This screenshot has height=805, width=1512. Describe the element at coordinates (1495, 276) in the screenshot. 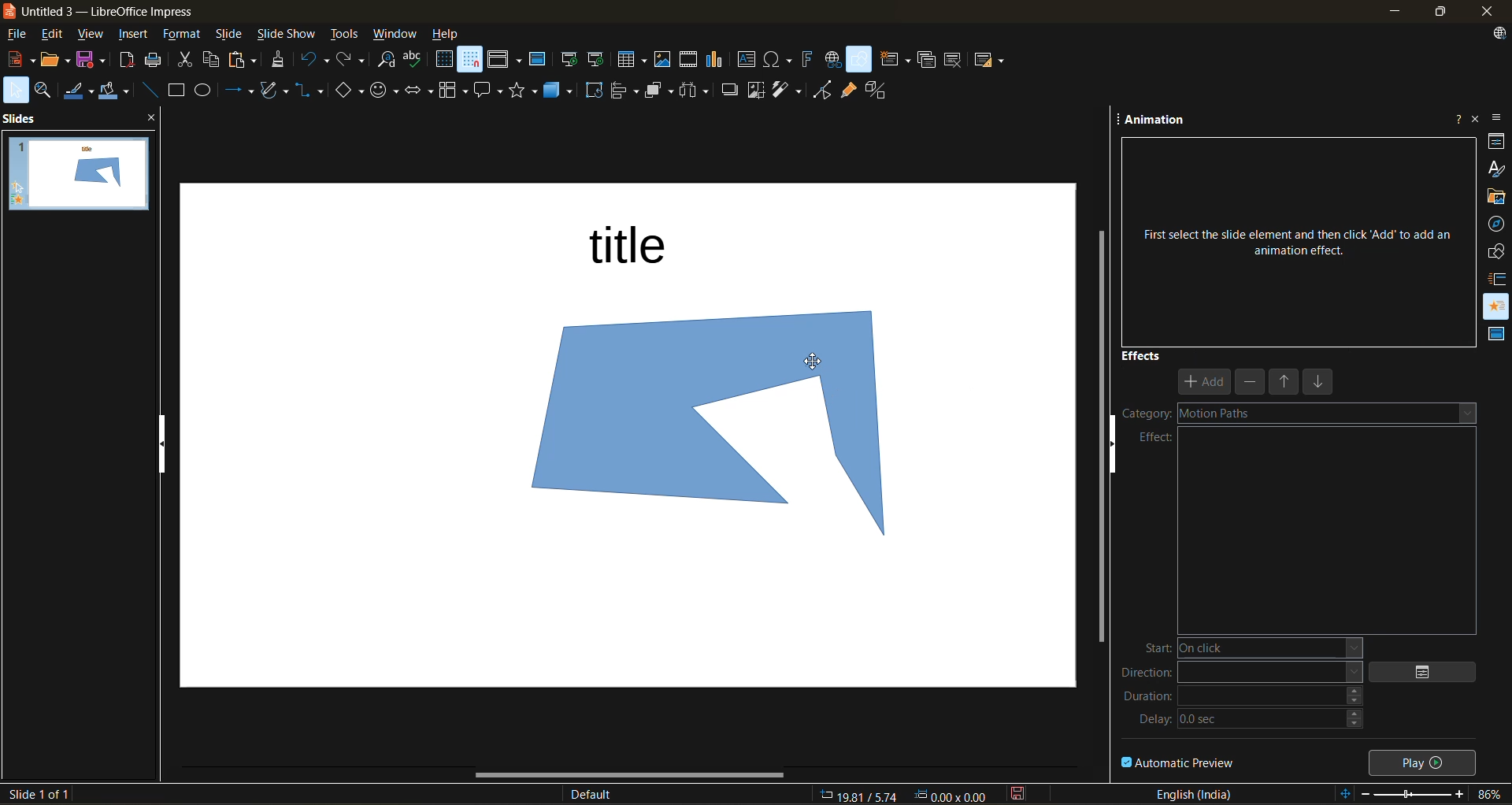

I see `slide transition` at that location.